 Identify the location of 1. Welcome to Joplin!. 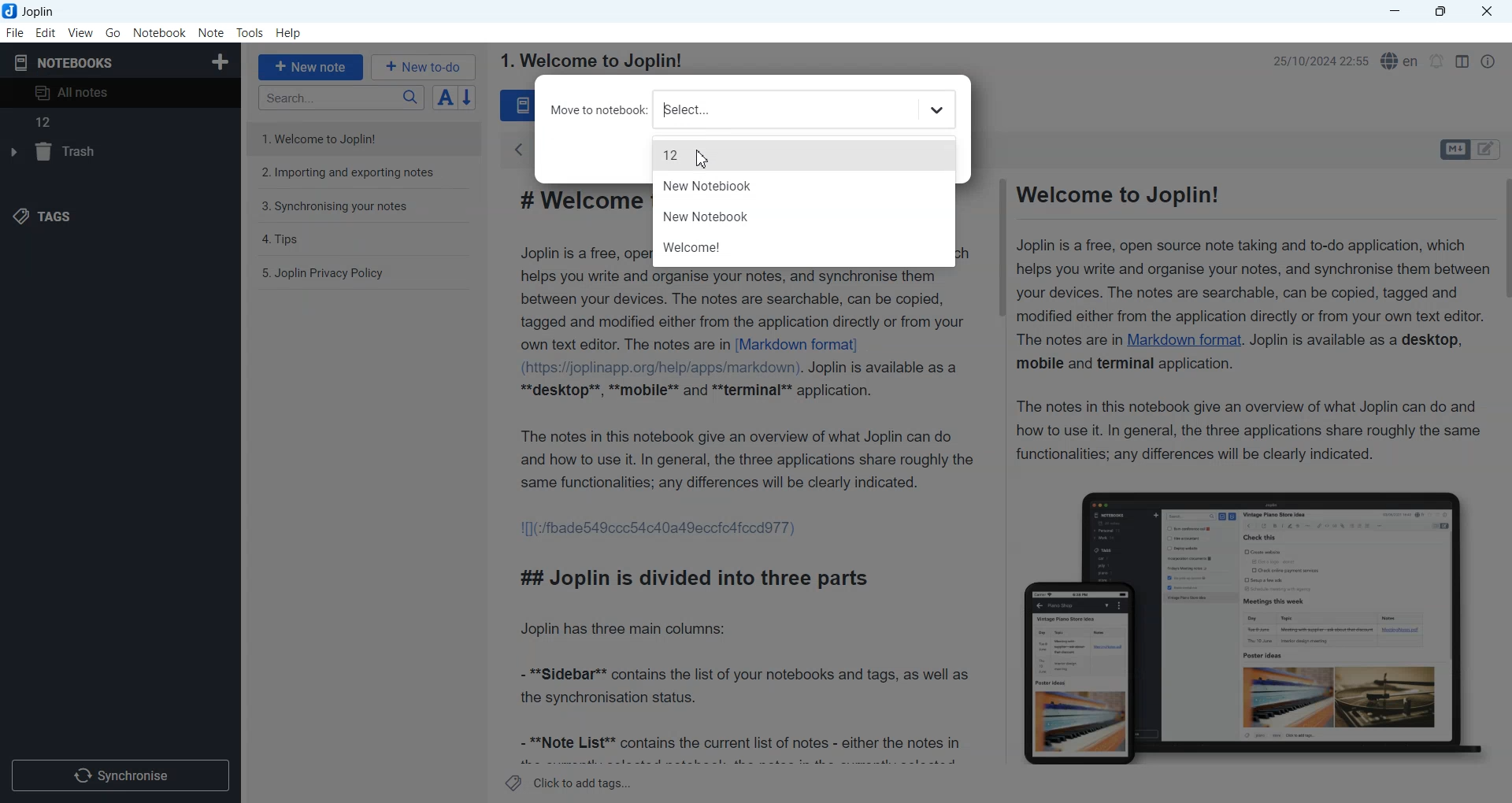
(332, 138).